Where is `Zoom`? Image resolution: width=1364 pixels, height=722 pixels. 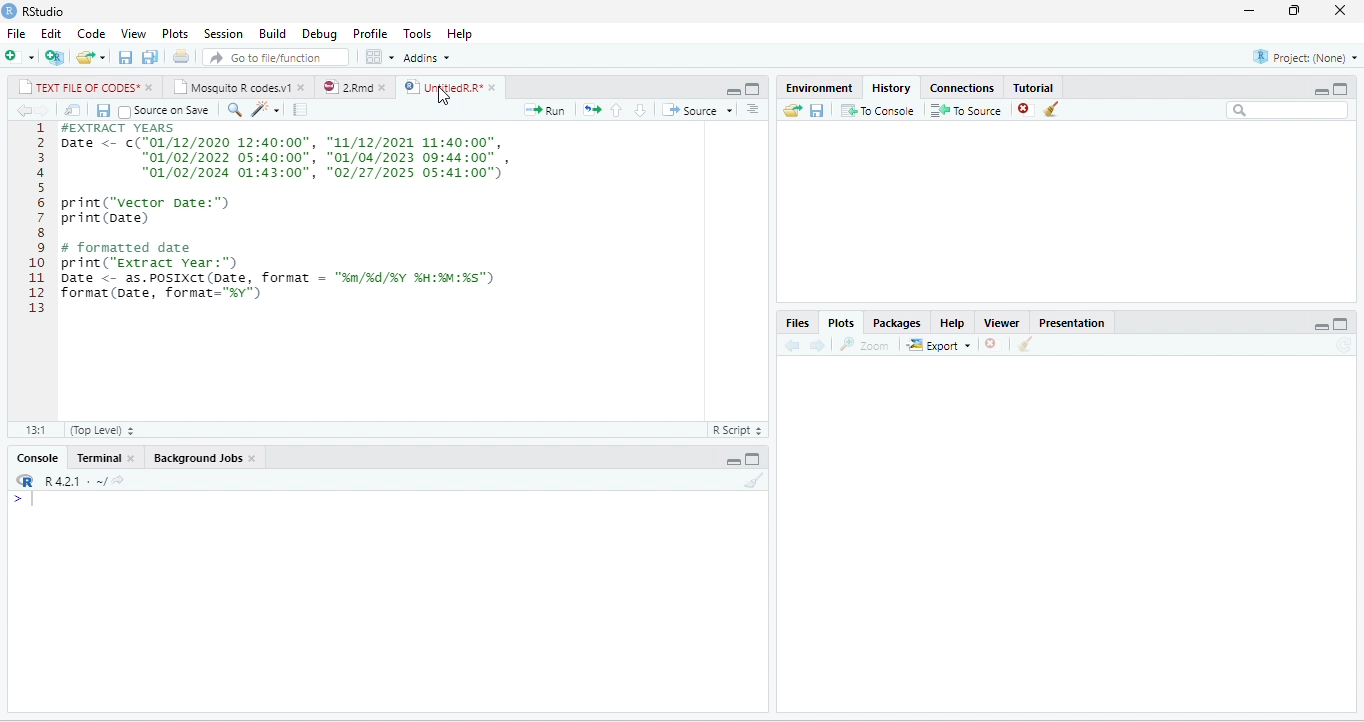 Zoom is located at coordinates (864, 344).